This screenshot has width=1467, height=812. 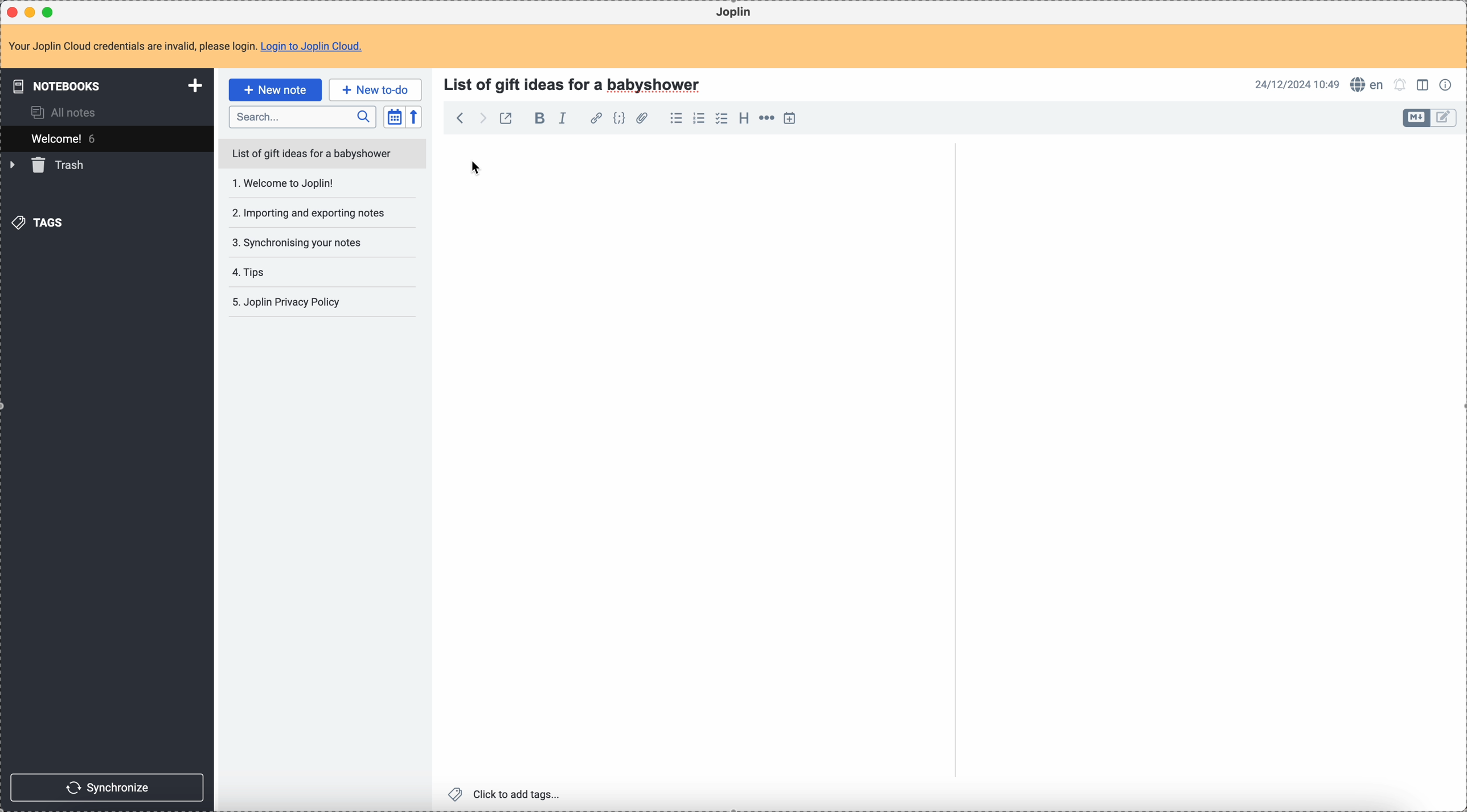 What do you see at coordinates (461, 118) in the screenshot?
I see `back` at bounding box center [461, 118].